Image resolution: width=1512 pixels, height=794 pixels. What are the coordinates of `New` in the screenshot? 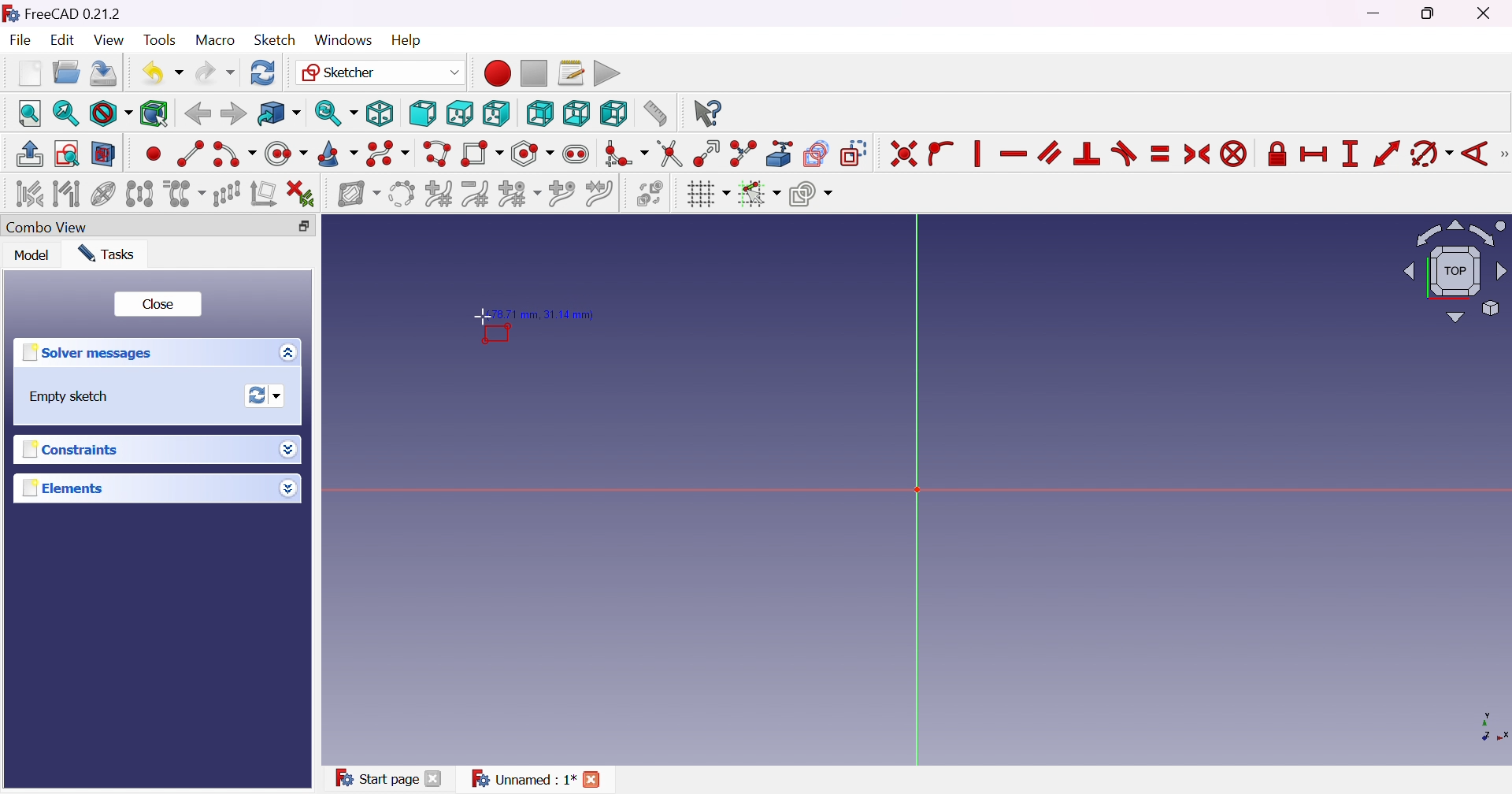 It's located at (30, 72).